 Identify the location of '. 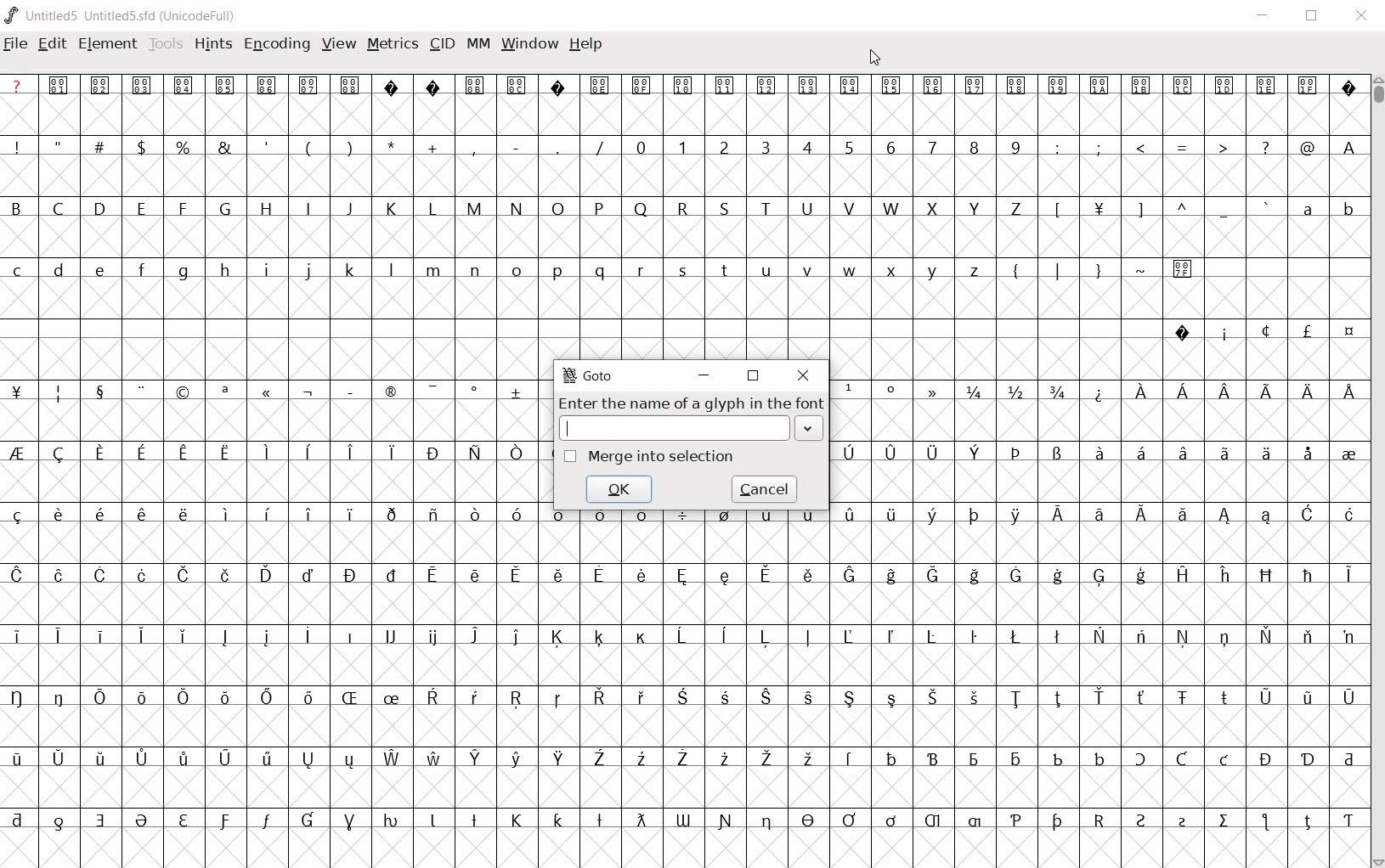
(268, 148).